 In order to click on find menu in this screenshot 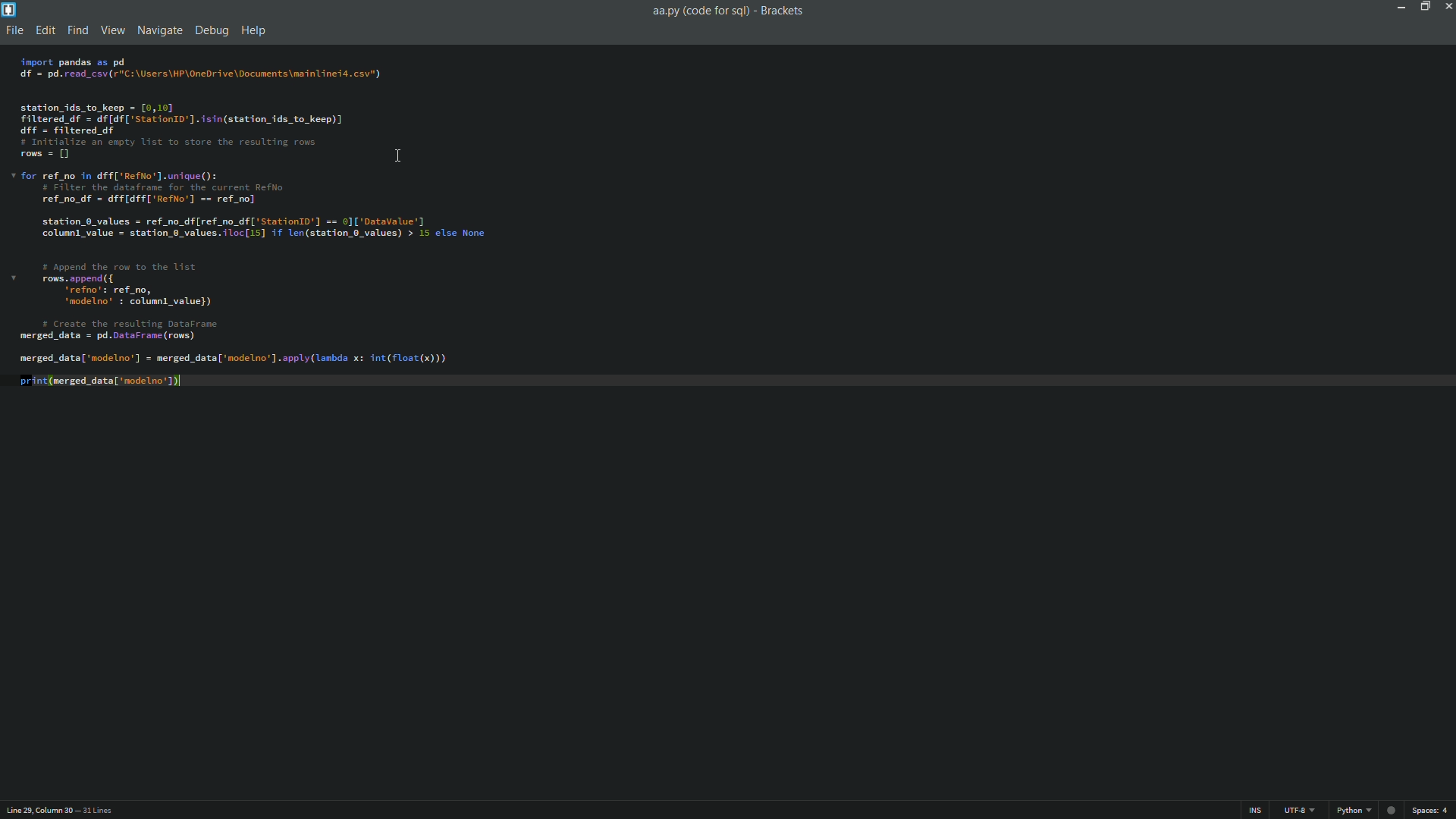, I will do `click(76, 28)`.